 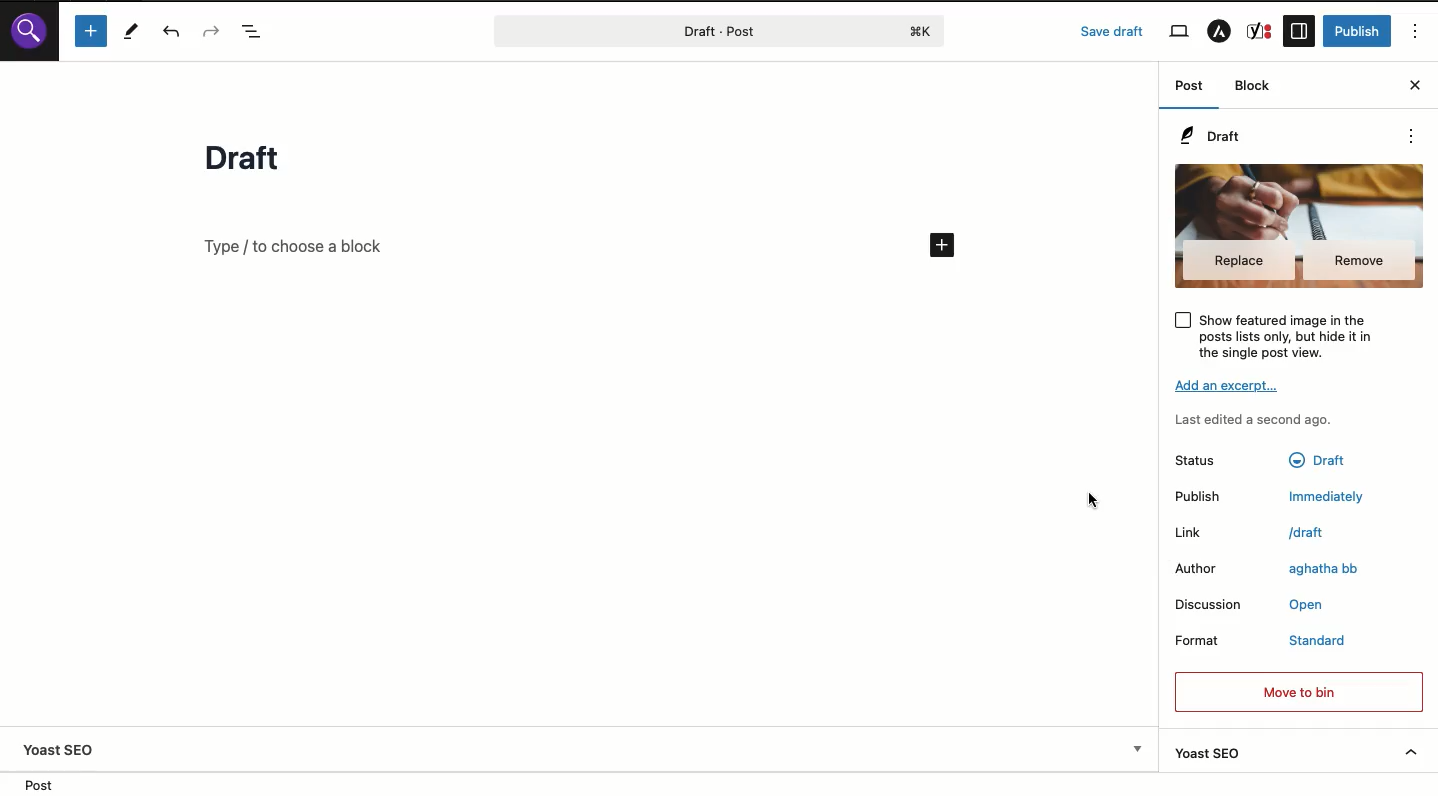 I want to click on Featured image set, so click(x=1301, y=198).